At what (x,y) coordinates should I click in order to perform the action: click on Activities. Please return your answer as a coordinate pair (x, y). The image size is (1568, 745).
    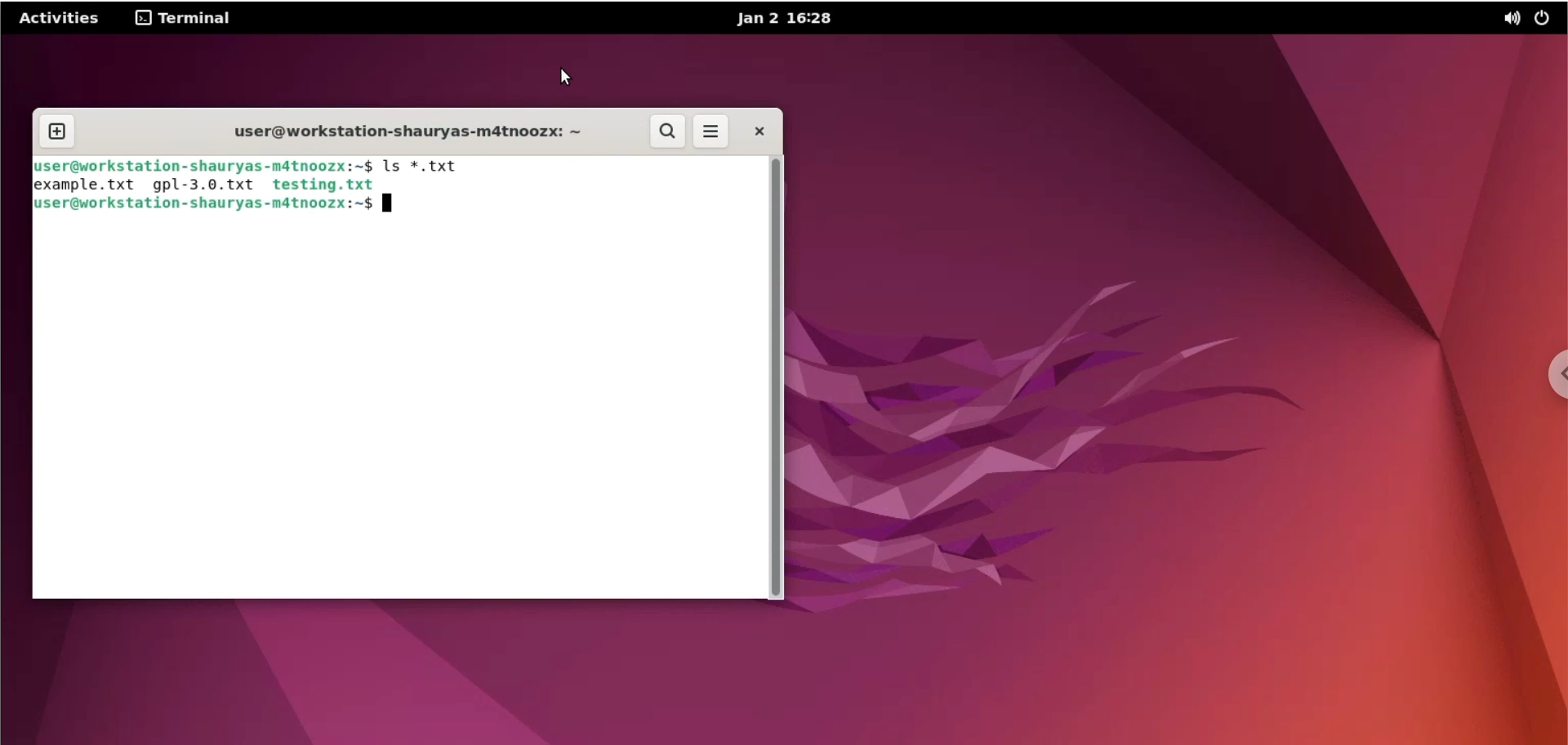
    Looking at the image, I should click on (61, 20).